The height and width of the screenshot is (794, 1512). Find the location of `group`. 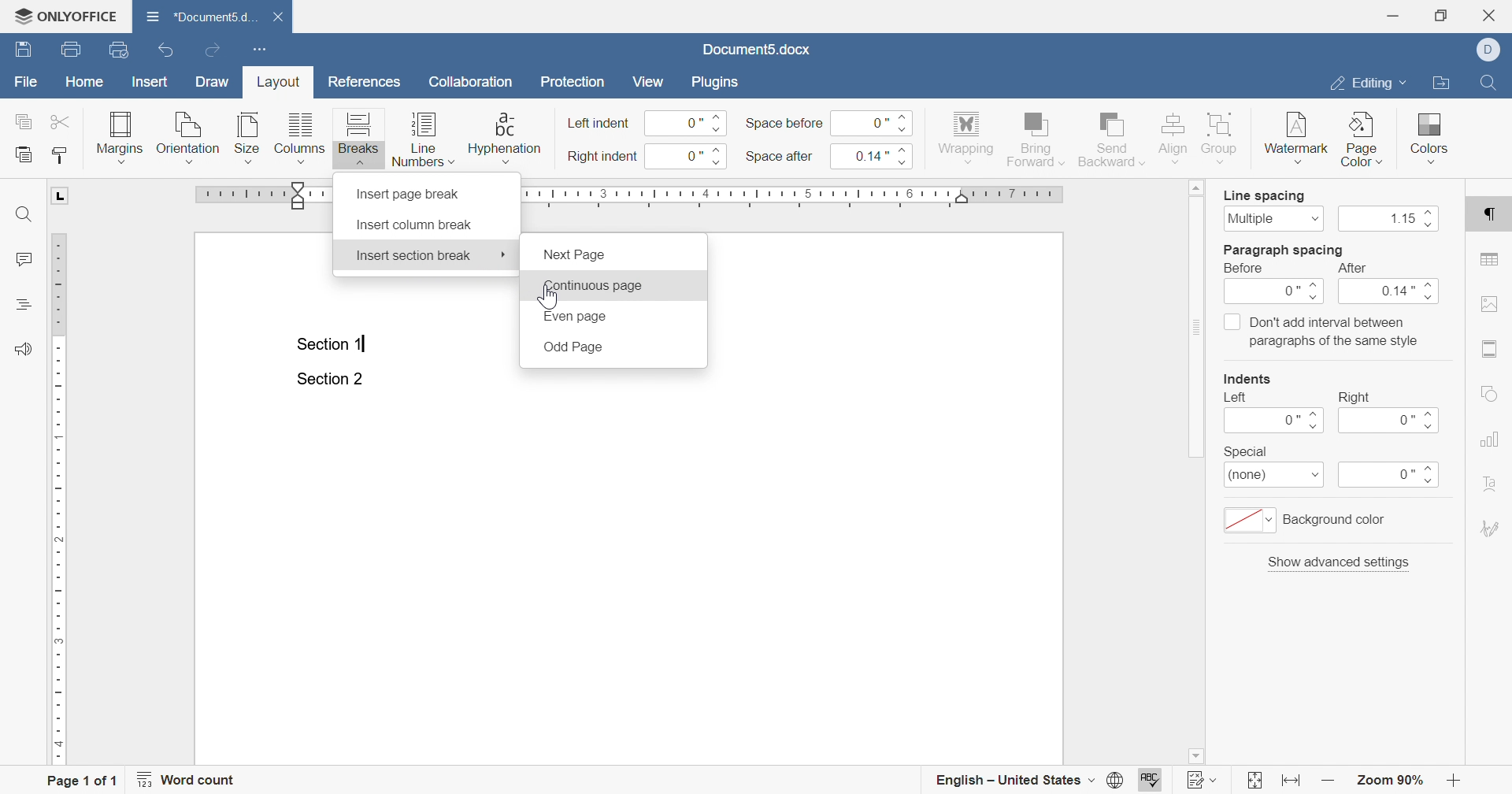

group is located at coordinates (1224, 139).